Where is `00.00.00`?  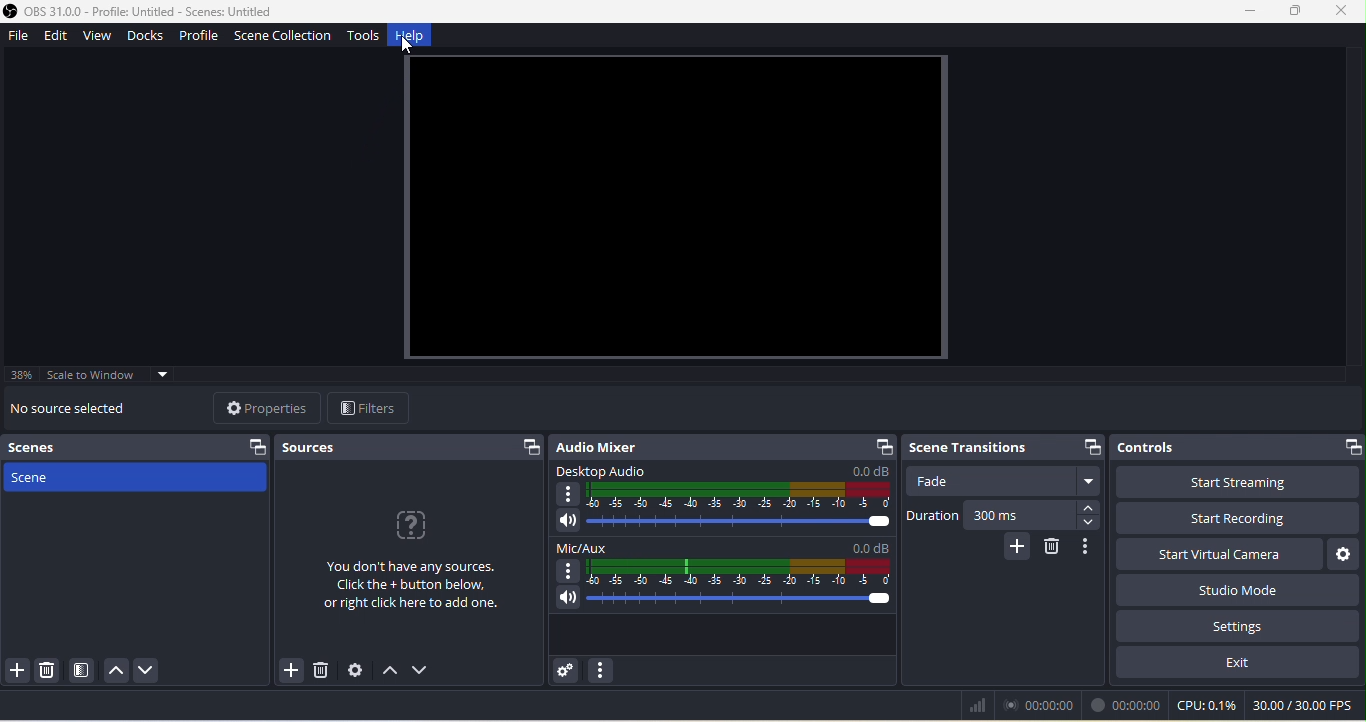 00.00.00 is located at coordinates (1045, 705).